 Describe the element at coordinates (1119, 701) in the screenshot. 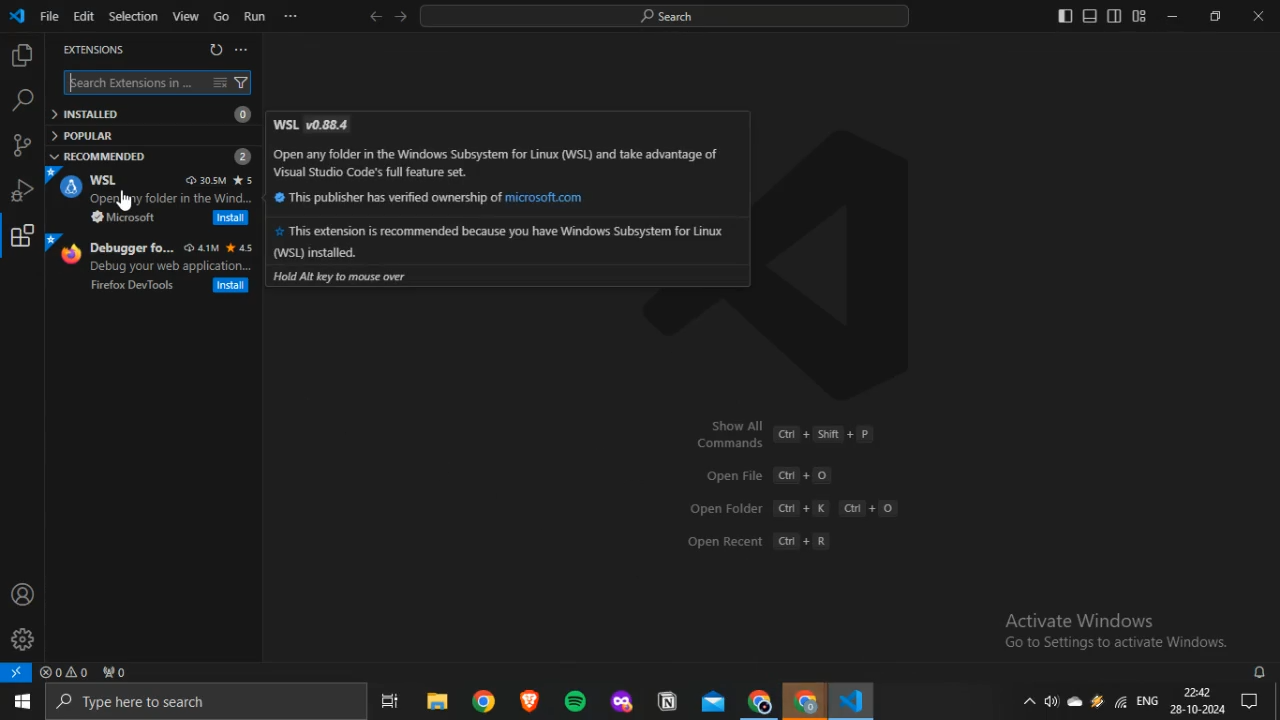

I see `Wifi` at that location.